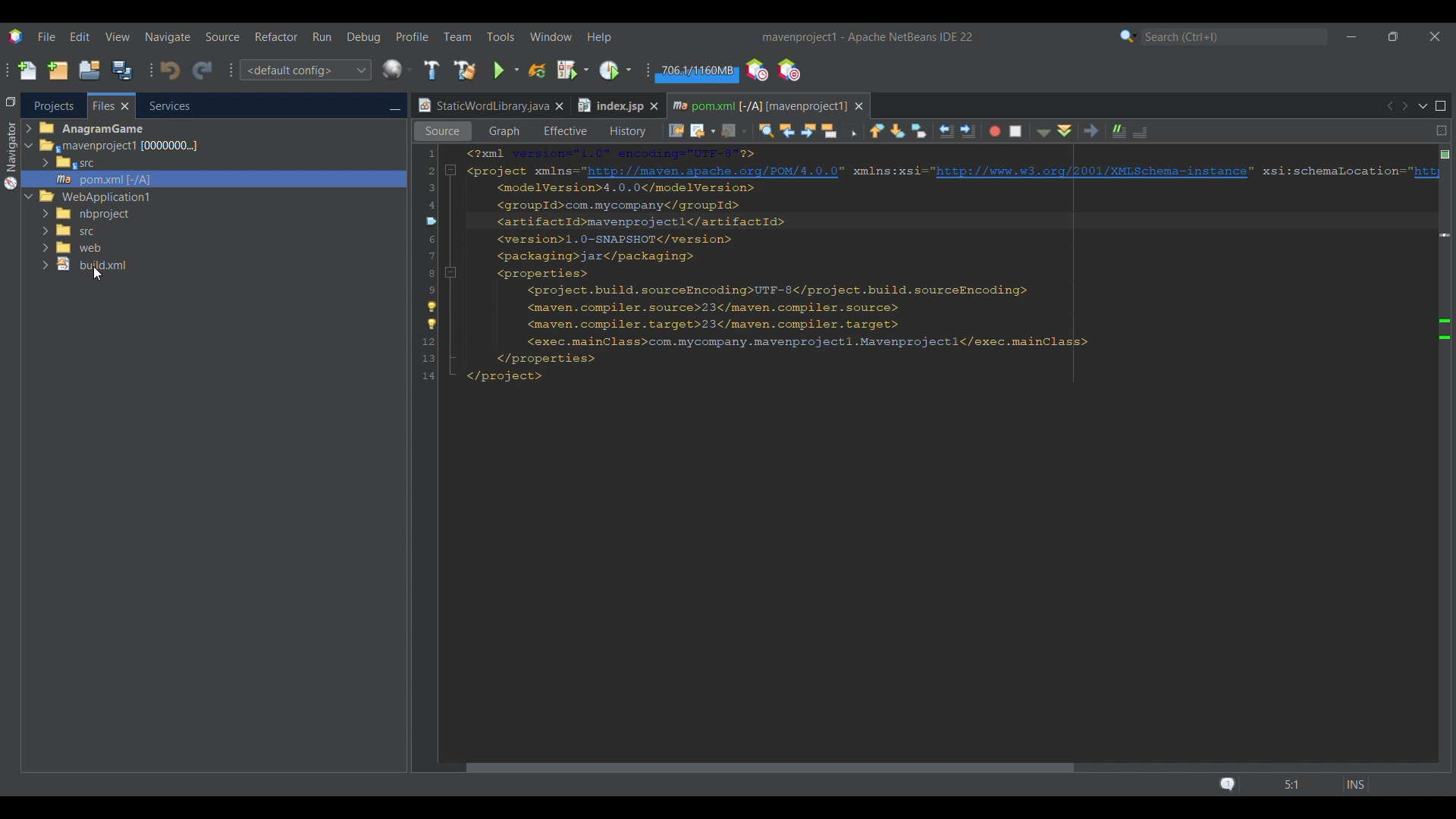 The width and height of the screenshot is (1456, 819). Describe the element at coordinates (80, 36) in the screenshot. I see `Edit menu` at that location.